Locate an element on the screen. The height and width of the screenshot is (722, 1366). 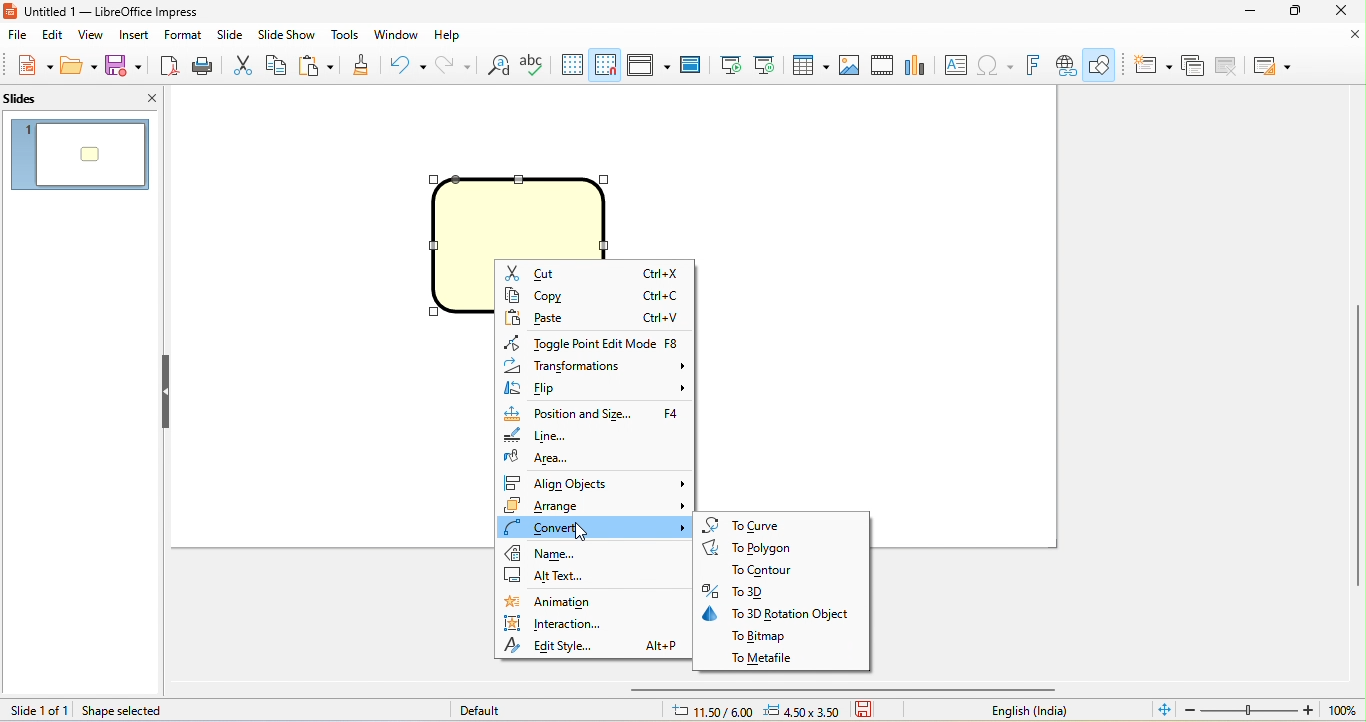
transformations is located at coordinates (596, 365).